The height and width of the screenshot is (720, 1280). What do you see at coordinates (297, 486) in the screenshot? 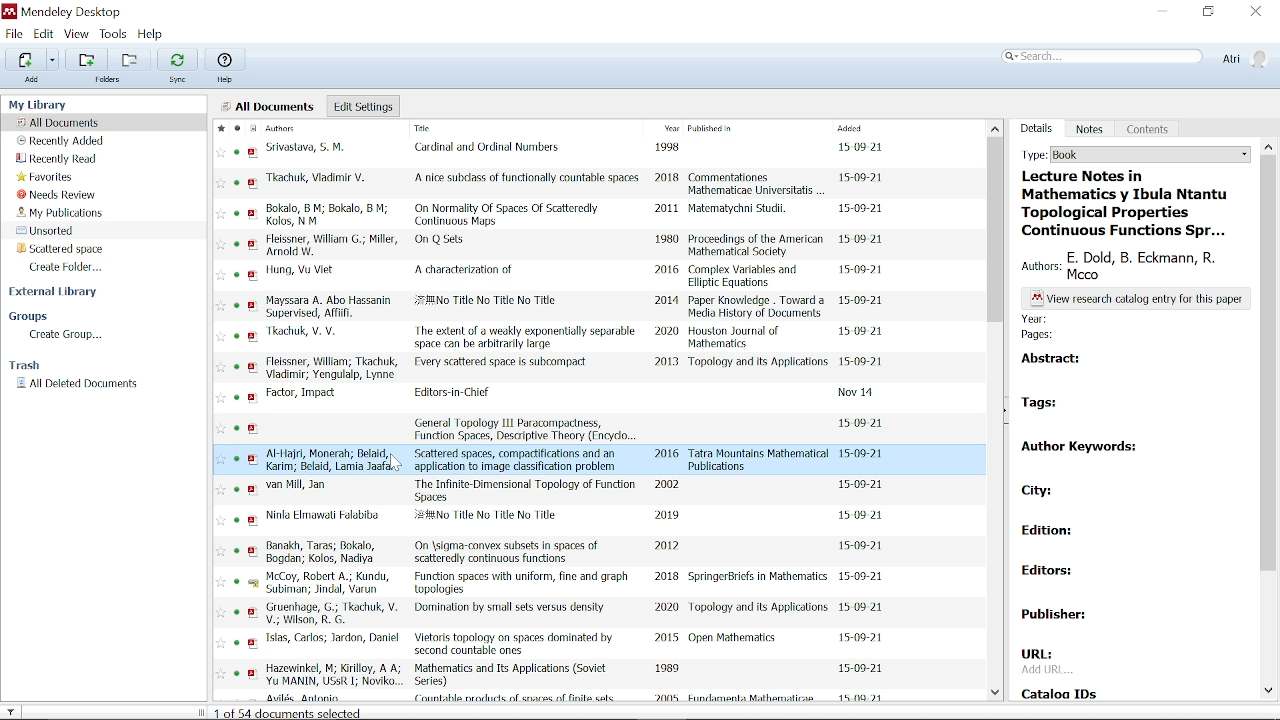
I see `authors` at bounding box center [297, 486].